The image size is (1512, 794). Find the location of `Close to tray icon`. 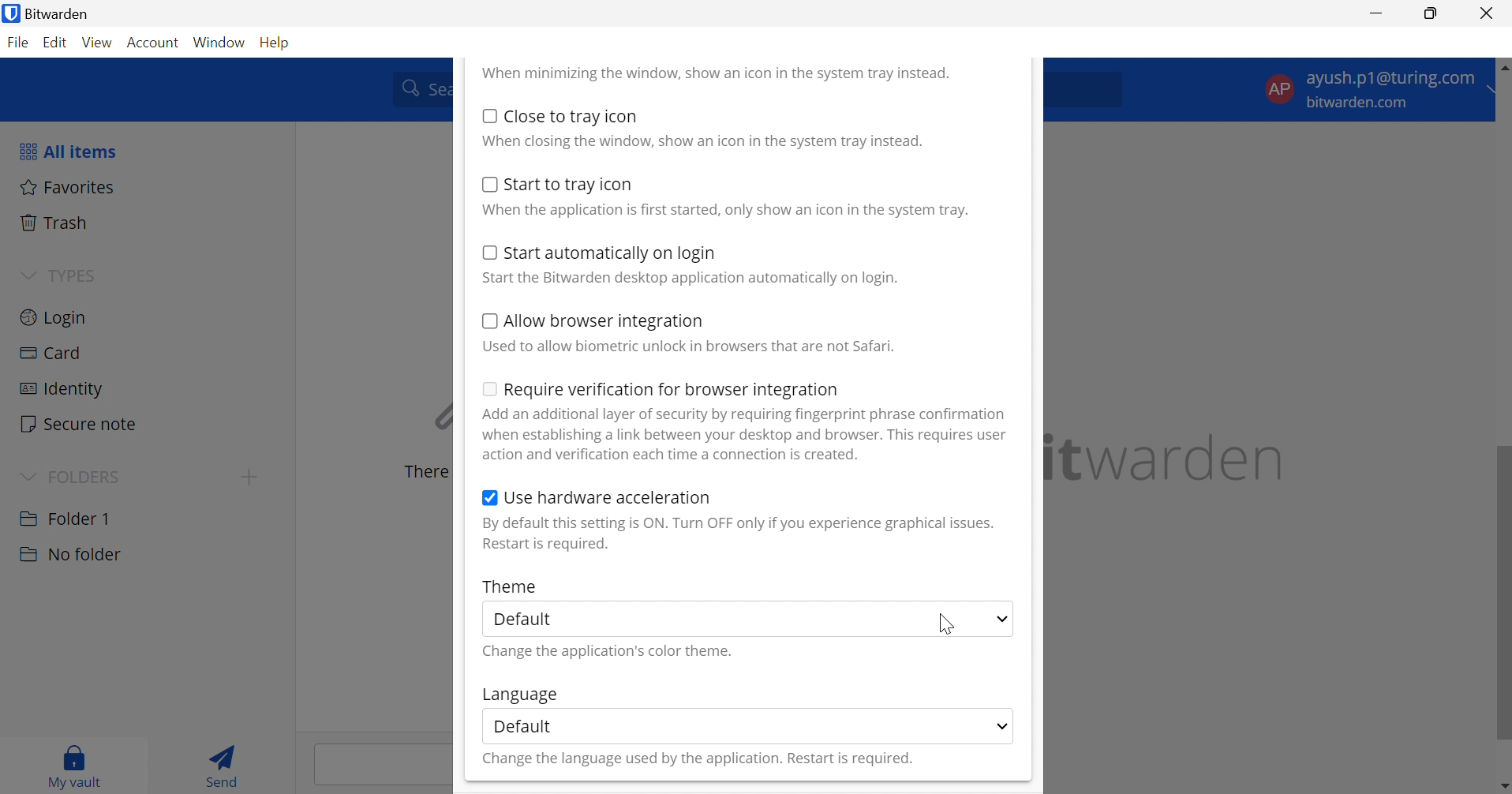

Close to tray icon is located at coordinates (572, 116).